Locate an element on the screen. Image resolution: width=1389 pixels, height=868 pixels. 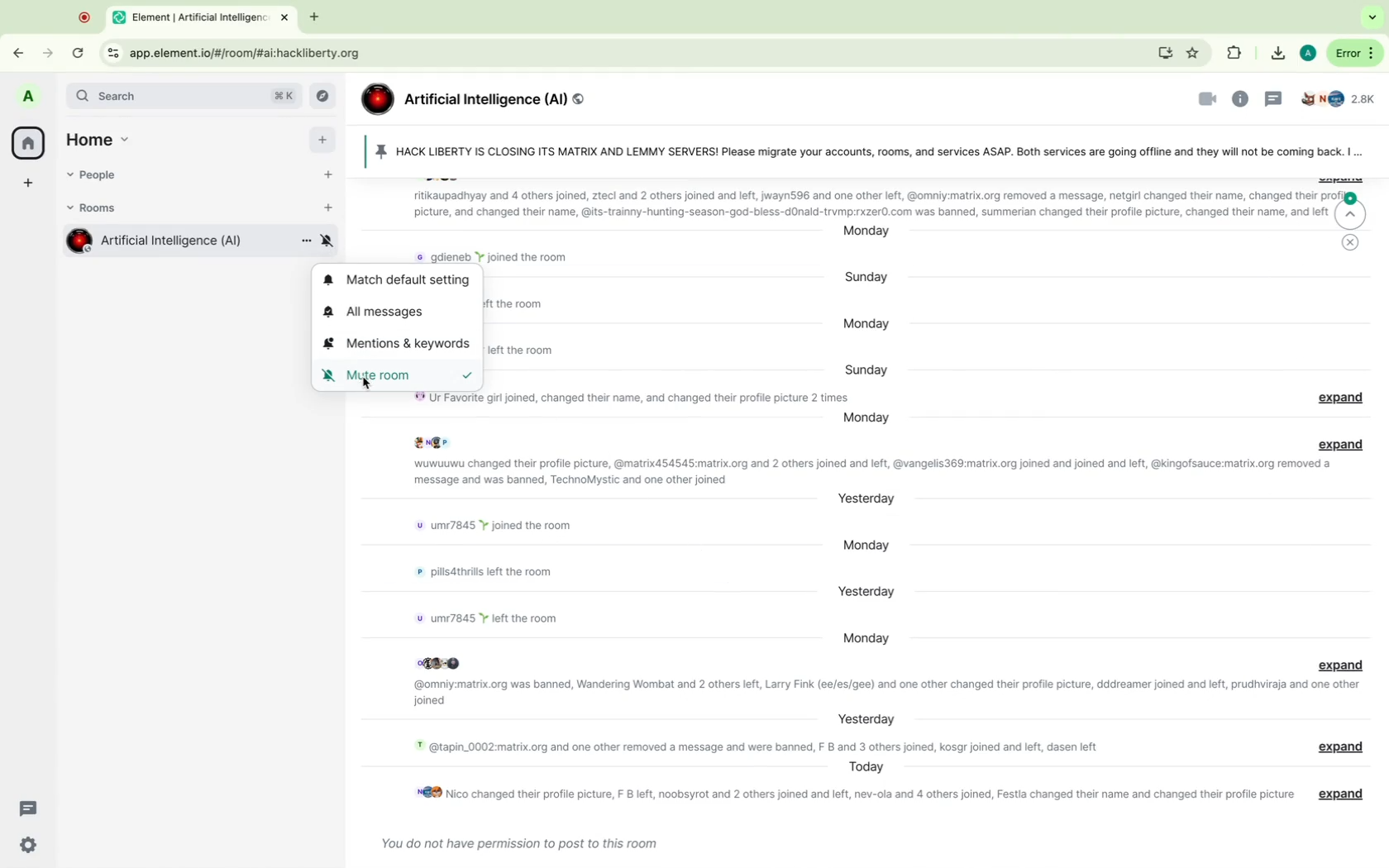
jump to first message is located at coordinates (1348, 212).